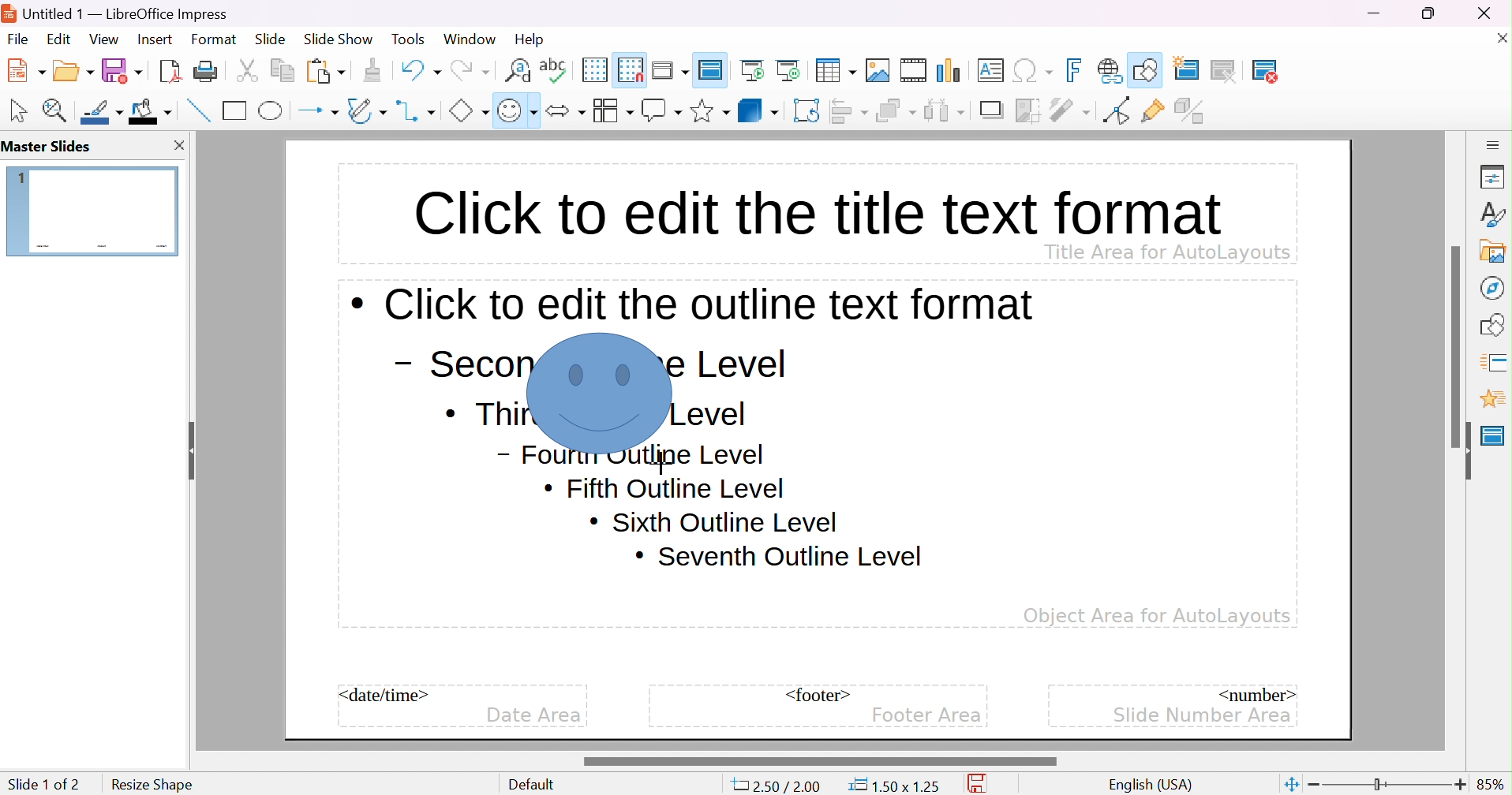 Image resolution: width=1512 pixels, height=795 pixels. I want to click on callout shapes, so click(661, 110).